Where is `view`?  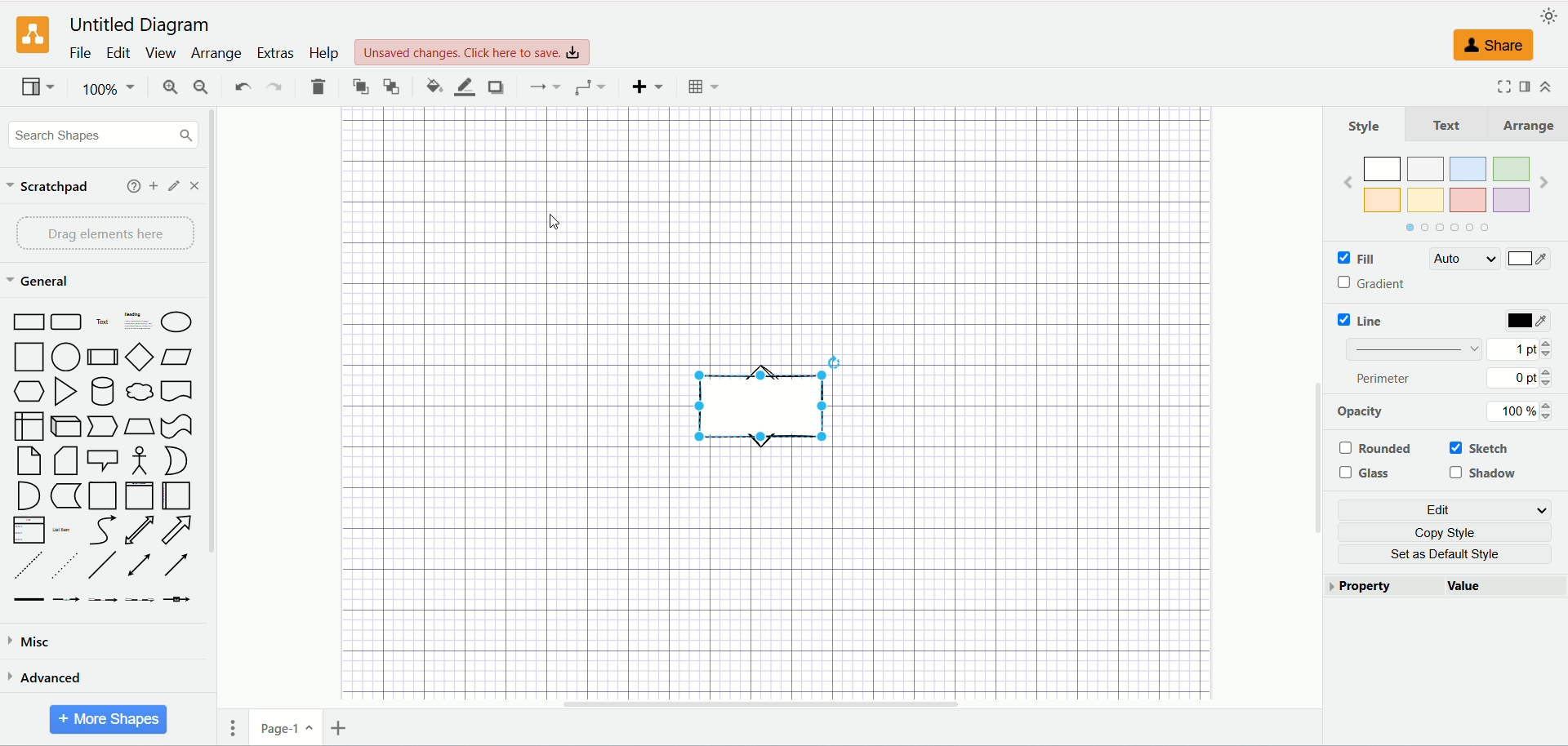
view is located at coordinates (163, 56).